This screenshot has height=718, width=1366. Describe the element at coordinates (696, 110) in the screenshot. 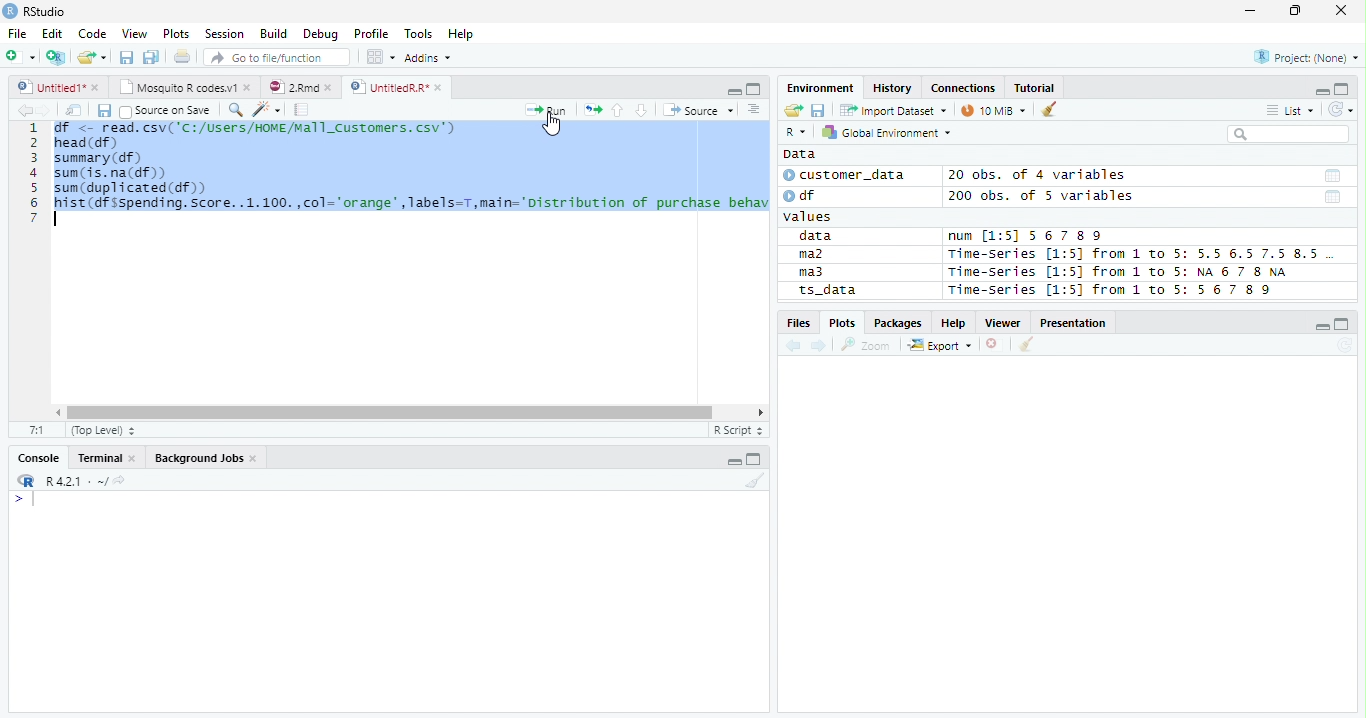

I see `Source` at that location.